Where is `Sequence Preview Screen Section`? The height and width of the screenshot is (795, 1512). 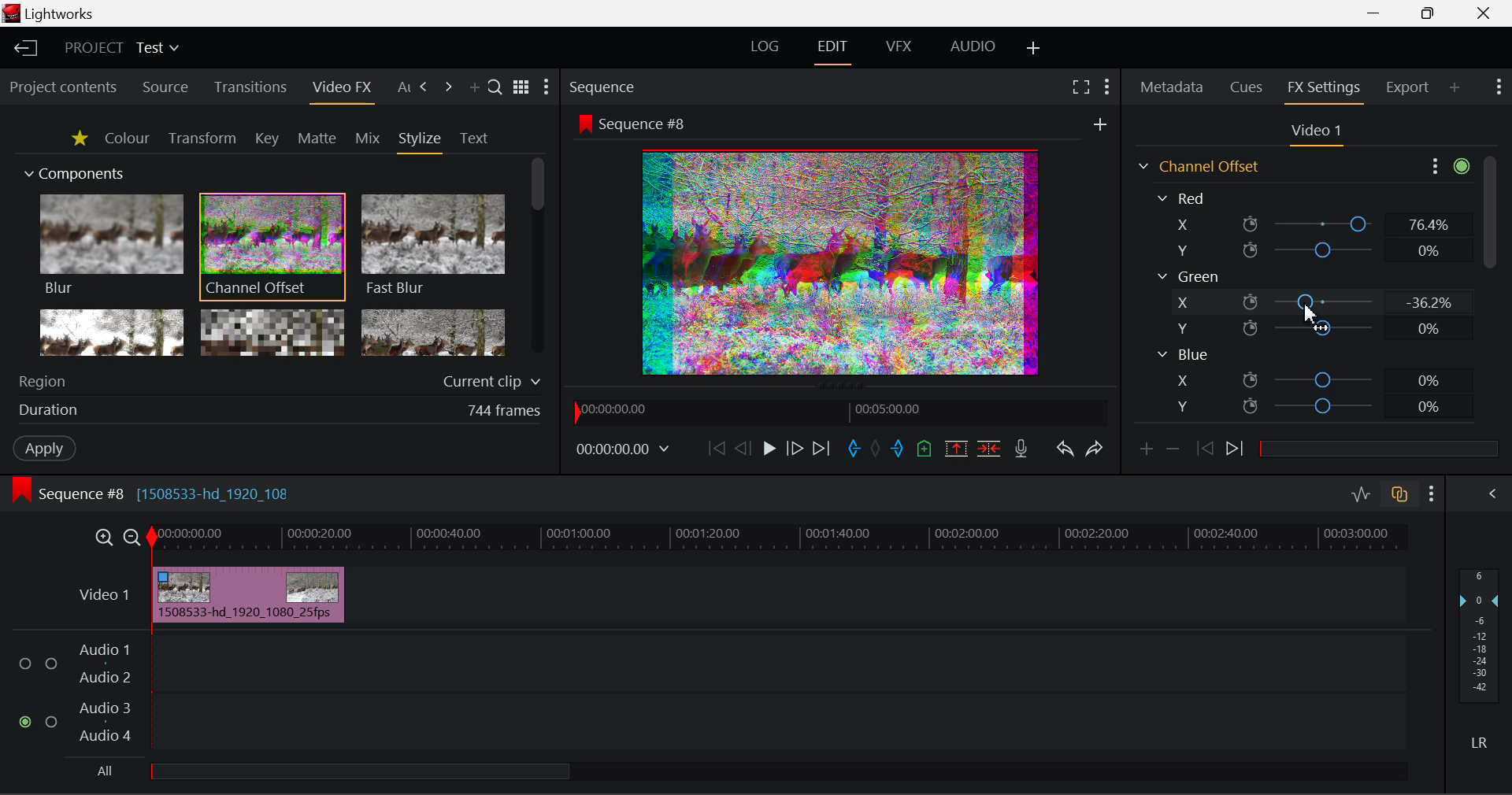
Sequence Preview Screen Section is located at coordinates (842, 122).